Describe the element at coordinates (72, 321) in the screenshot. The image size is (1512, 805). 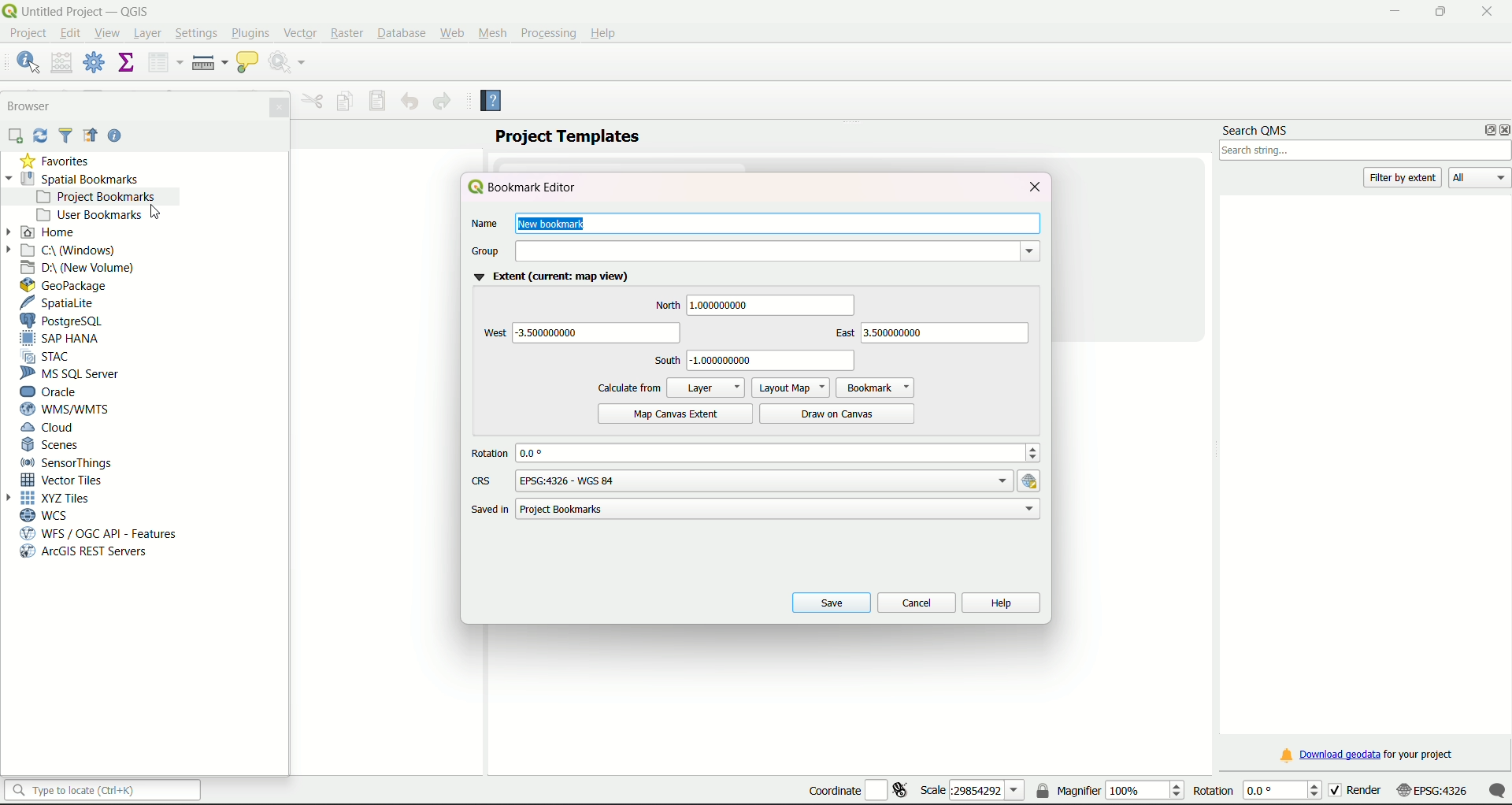
I see `PostgreSQL` at that location.